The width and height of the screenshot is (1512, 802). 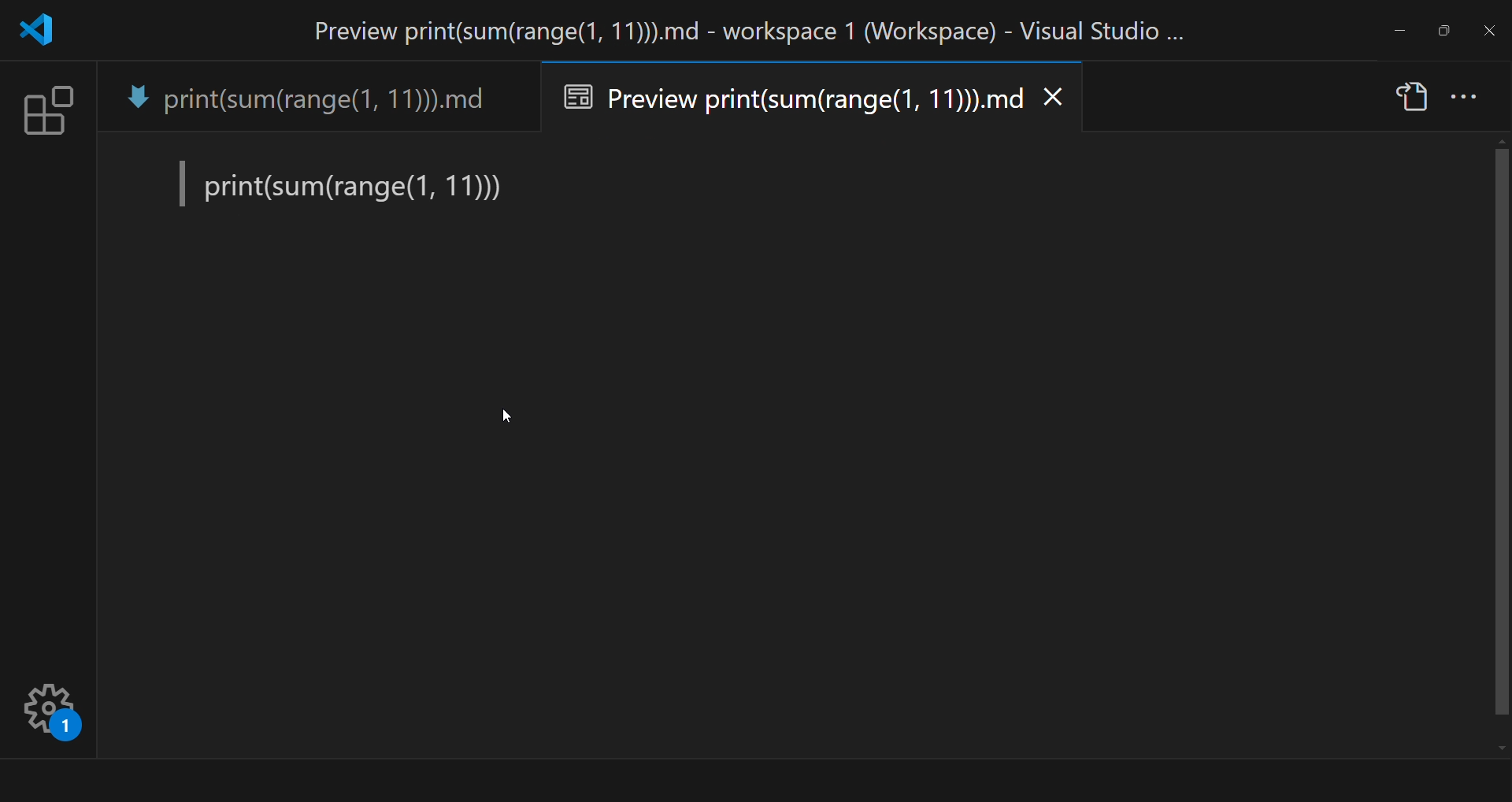 What do you see at coordinates (48, 110) in the screenshot?
I see `extension` at bounding box center [48, 110].